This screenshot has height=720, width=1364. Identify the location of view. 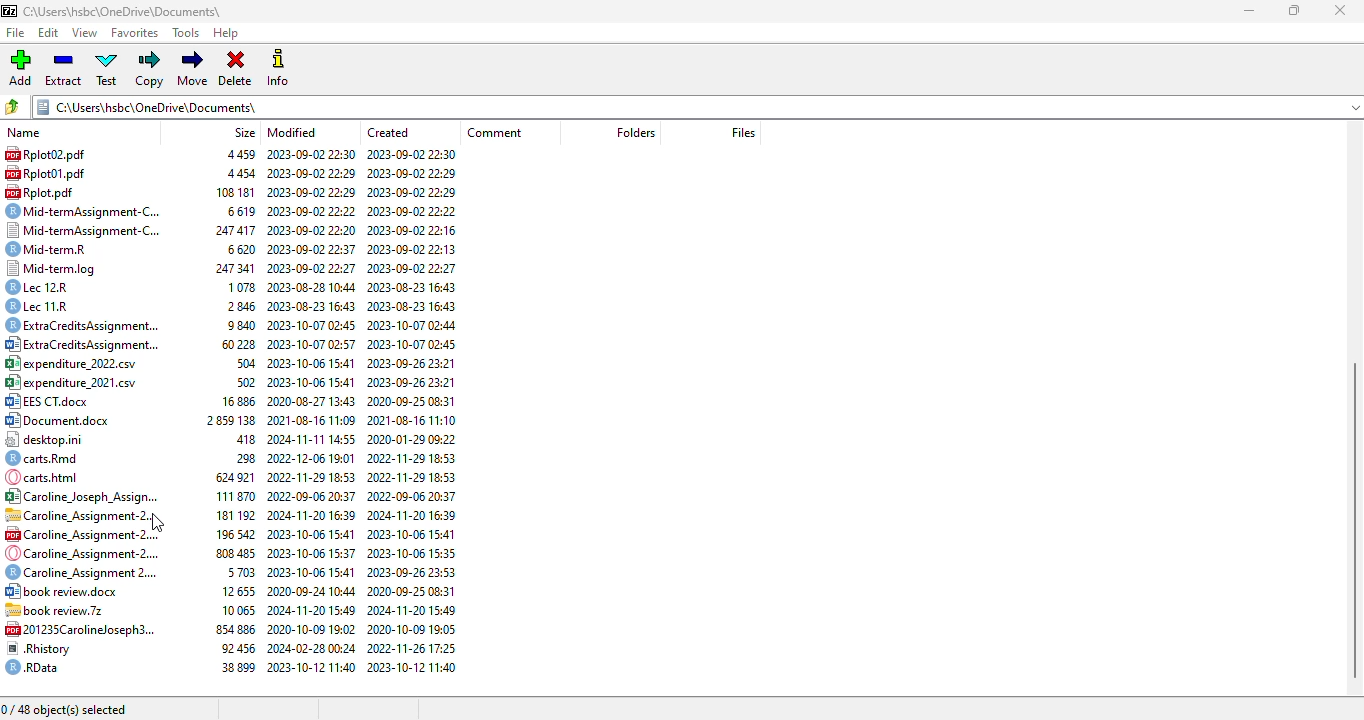
(86, 33).